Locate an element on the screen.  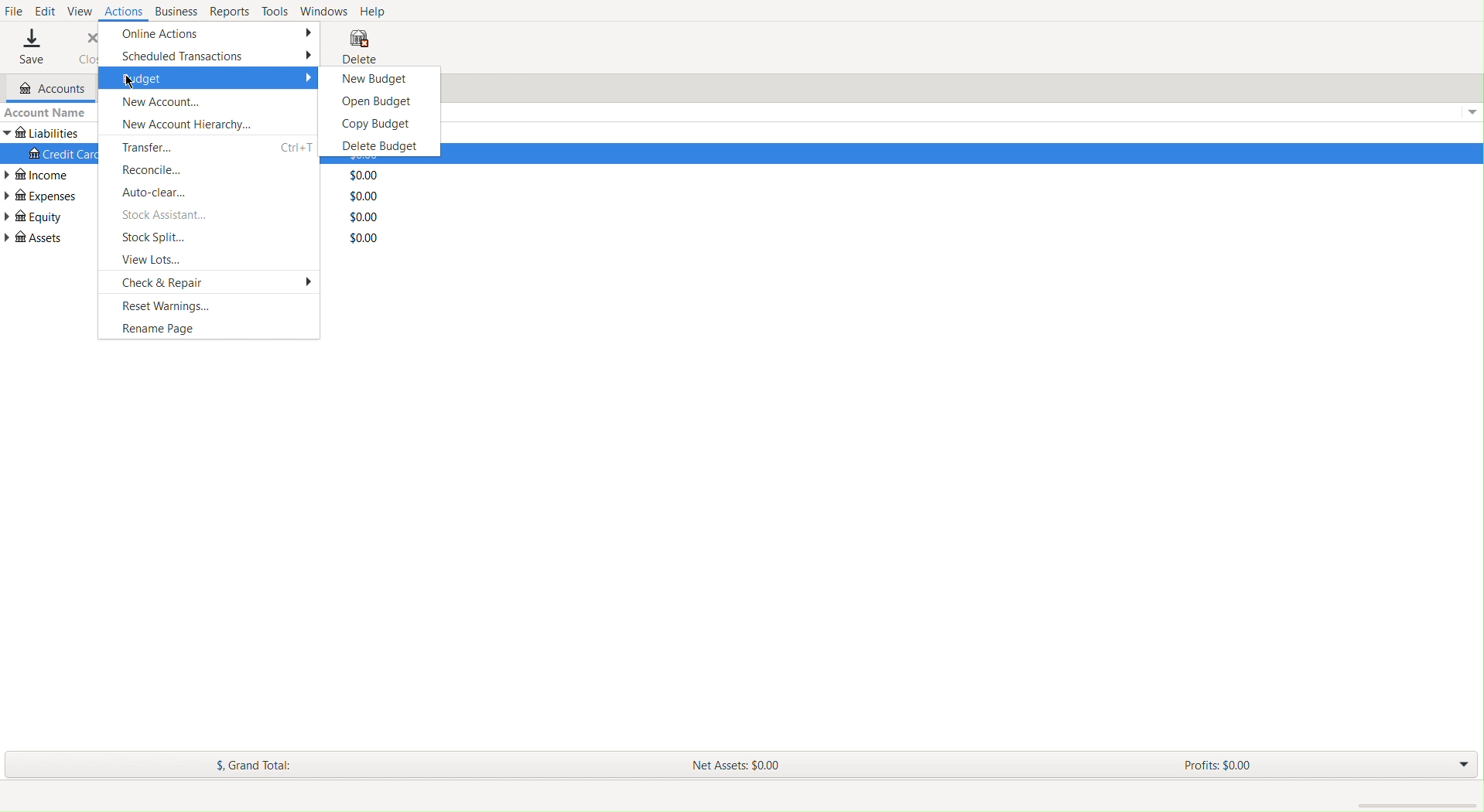
cursor is located at coordinates (130, 80).